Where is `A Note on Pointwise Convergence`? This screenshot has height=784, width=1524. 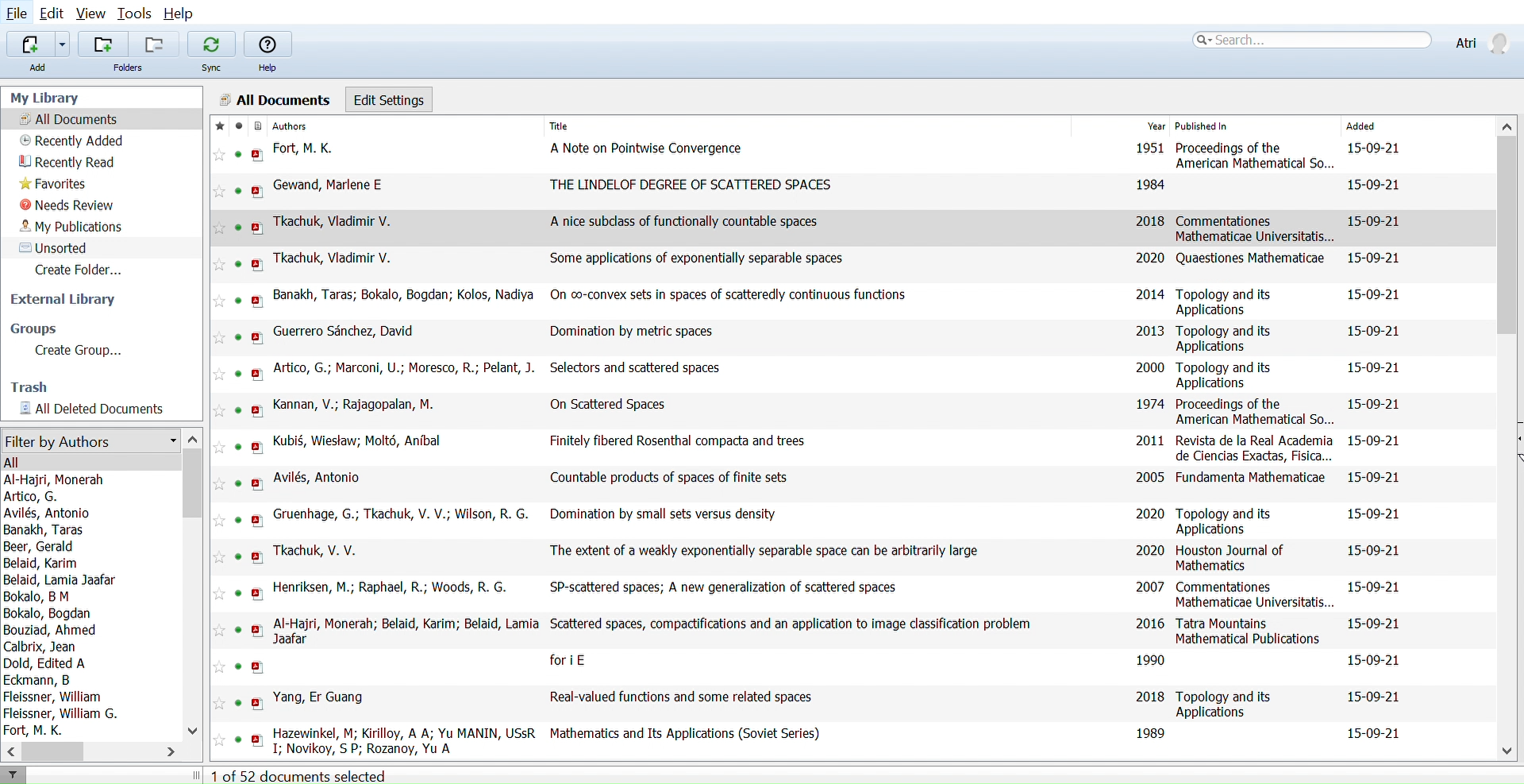
A Note on Pointwise Convergence is located at coordinates (648, 147).